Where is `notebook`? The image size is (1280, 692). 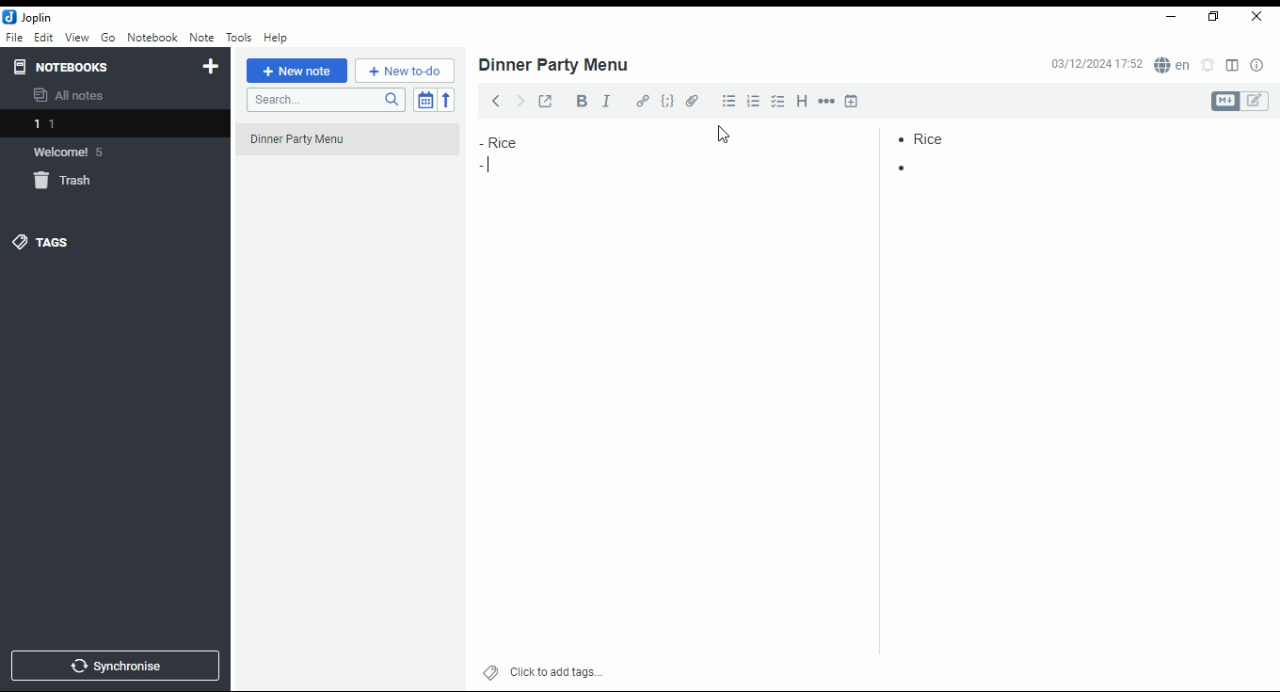 notebook is located at coordinates (152, 37).